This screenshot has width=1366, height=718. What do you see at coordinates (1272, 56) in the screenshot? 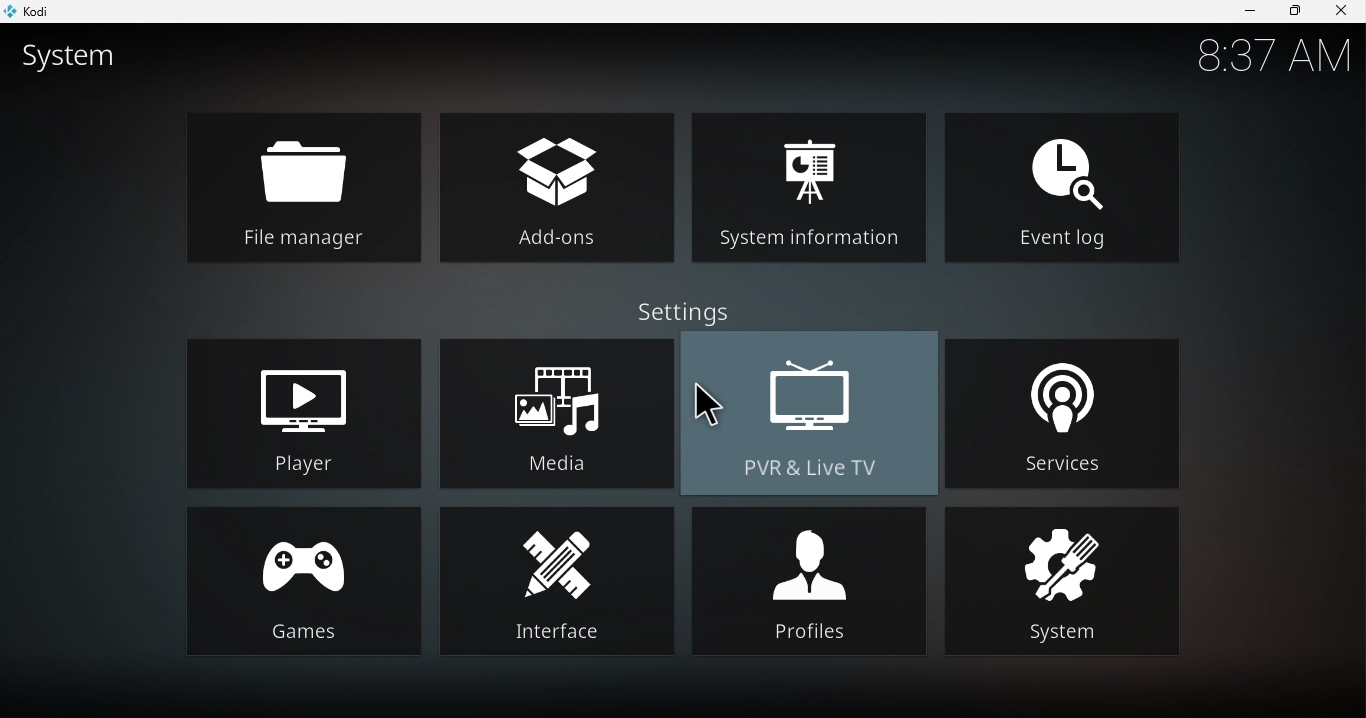
I see `Time` at bounding box center [1272, 56].